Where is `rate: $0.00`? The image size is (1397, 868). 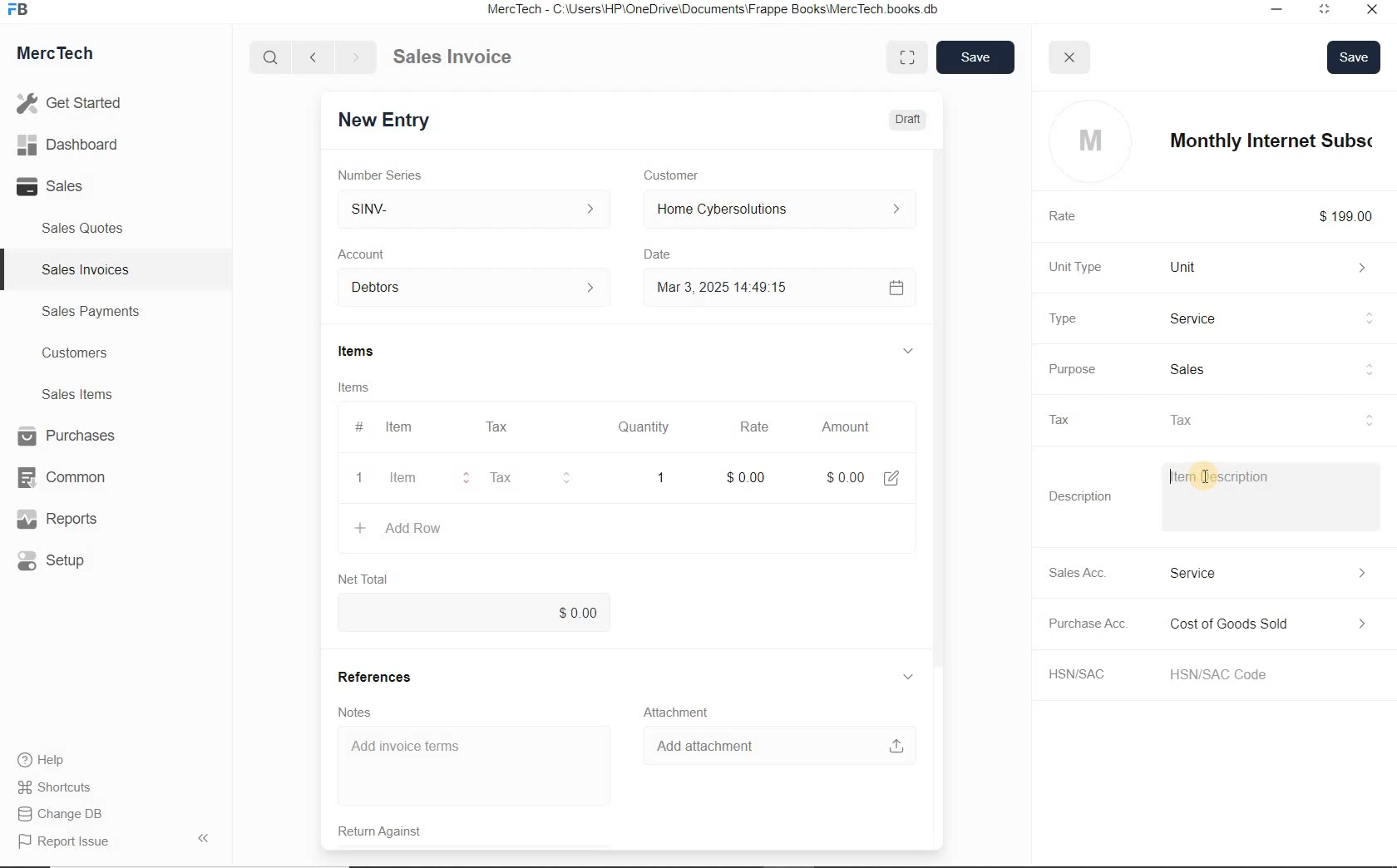
rate: $0.00 is located at coordinates (745, 476).